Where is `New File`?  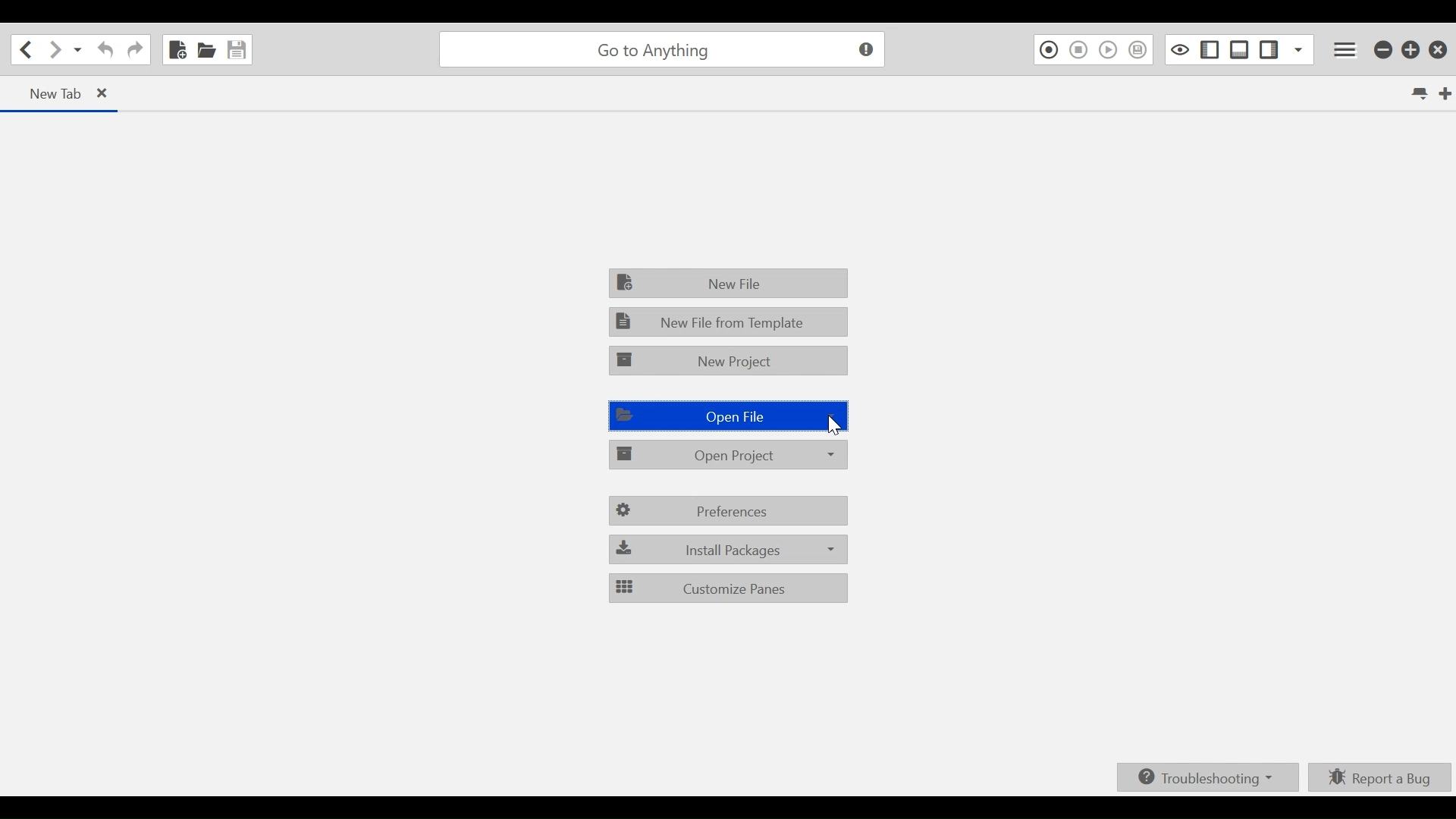
New File is located at coordinates (176, 48).